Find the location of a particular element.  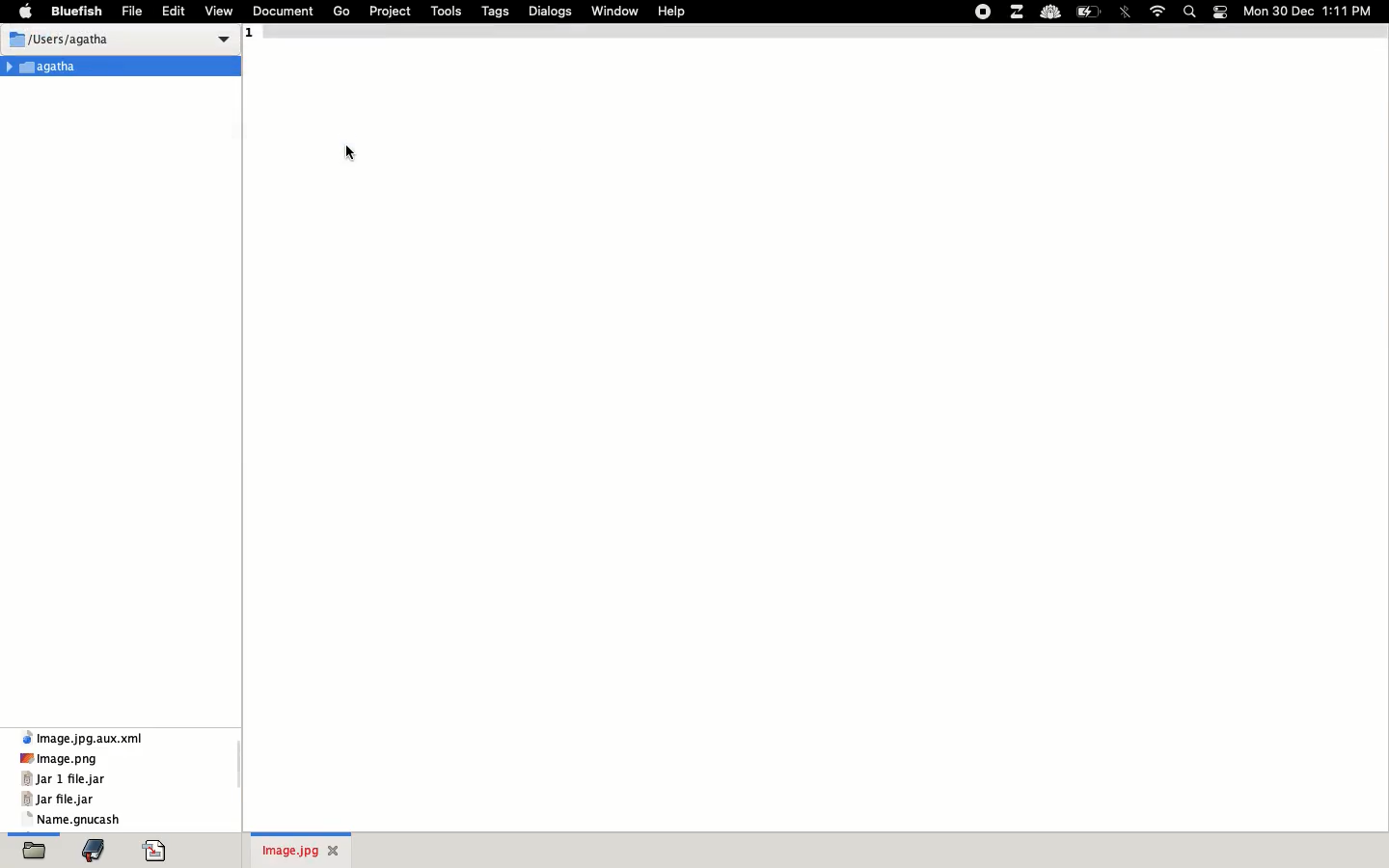

zulip is located at coordinates (1019, 12).